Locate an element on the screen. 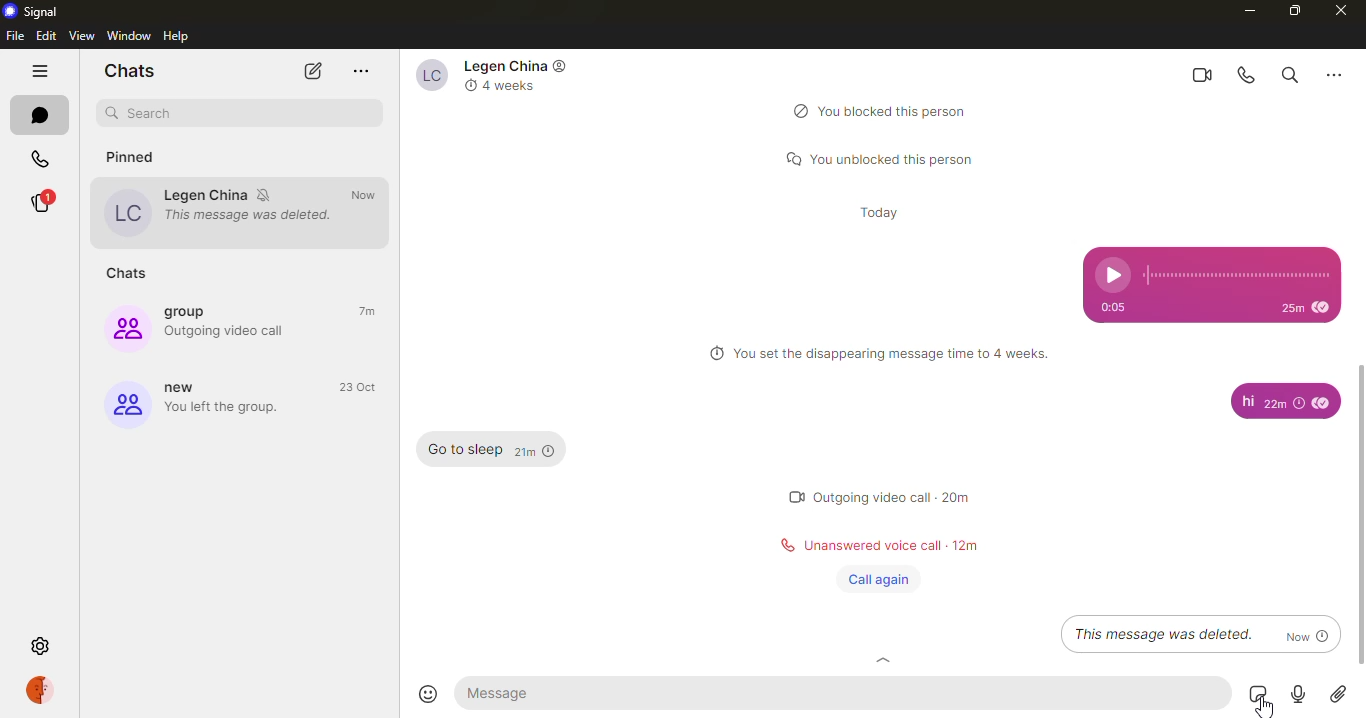 The height and width of the screenshot is (718, 1366). video call logo is located at coordinates (794, 496).